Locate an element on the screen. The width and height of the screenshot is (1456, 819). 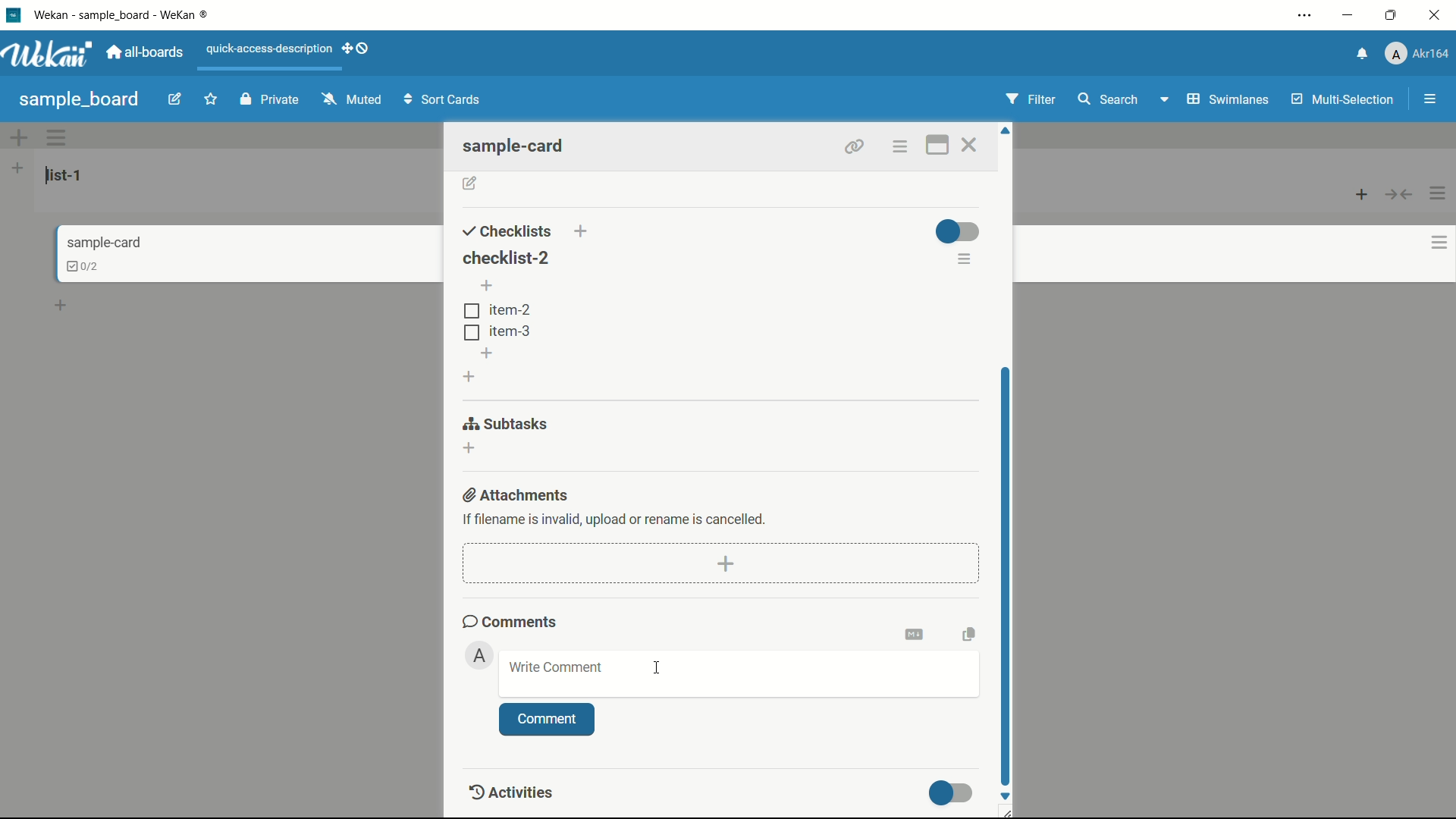
sample-card is located at coordinates (521, 146).